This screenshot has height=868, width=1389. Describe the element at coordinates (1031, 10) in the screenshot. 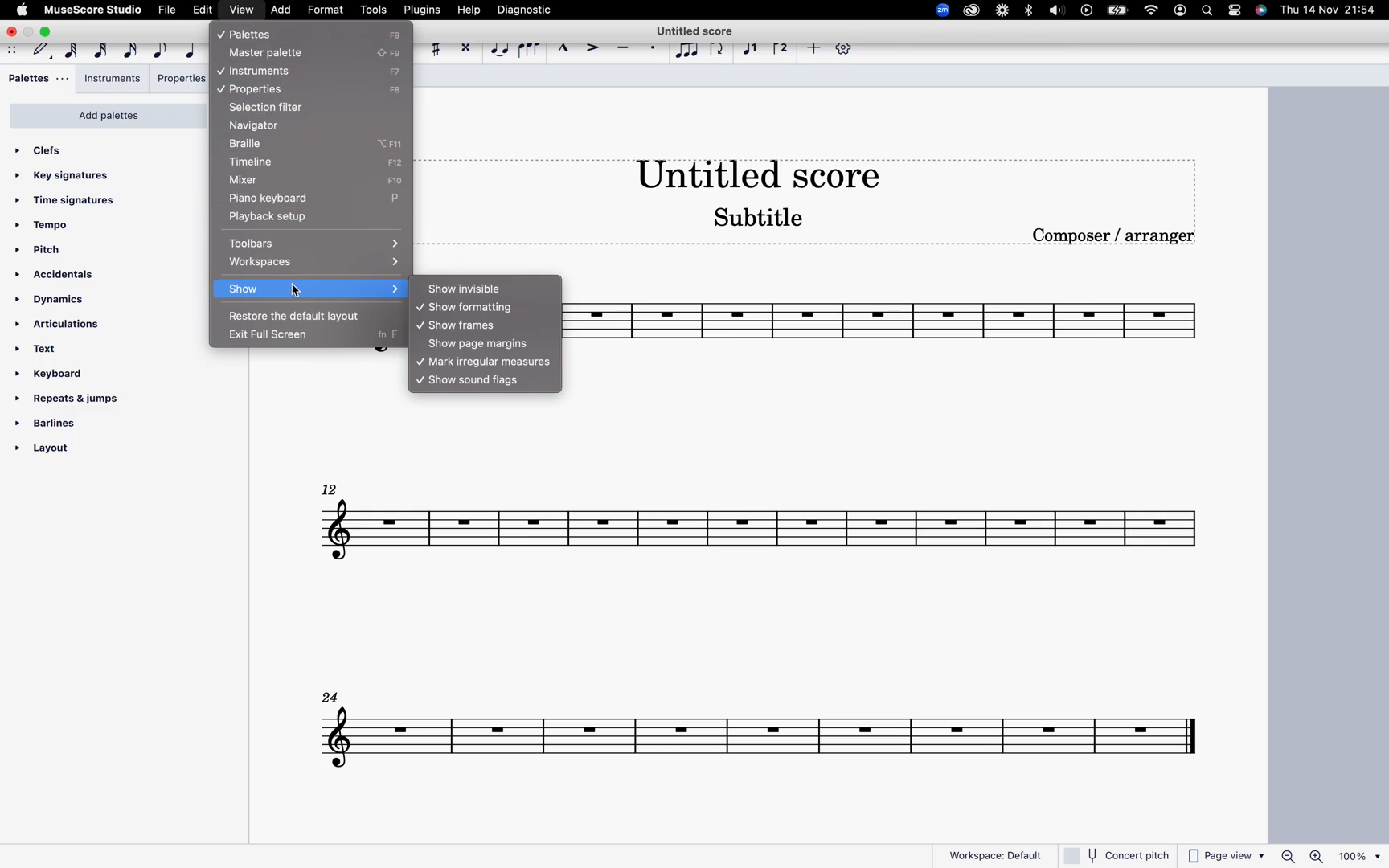

I see `bluetooth` at that location.